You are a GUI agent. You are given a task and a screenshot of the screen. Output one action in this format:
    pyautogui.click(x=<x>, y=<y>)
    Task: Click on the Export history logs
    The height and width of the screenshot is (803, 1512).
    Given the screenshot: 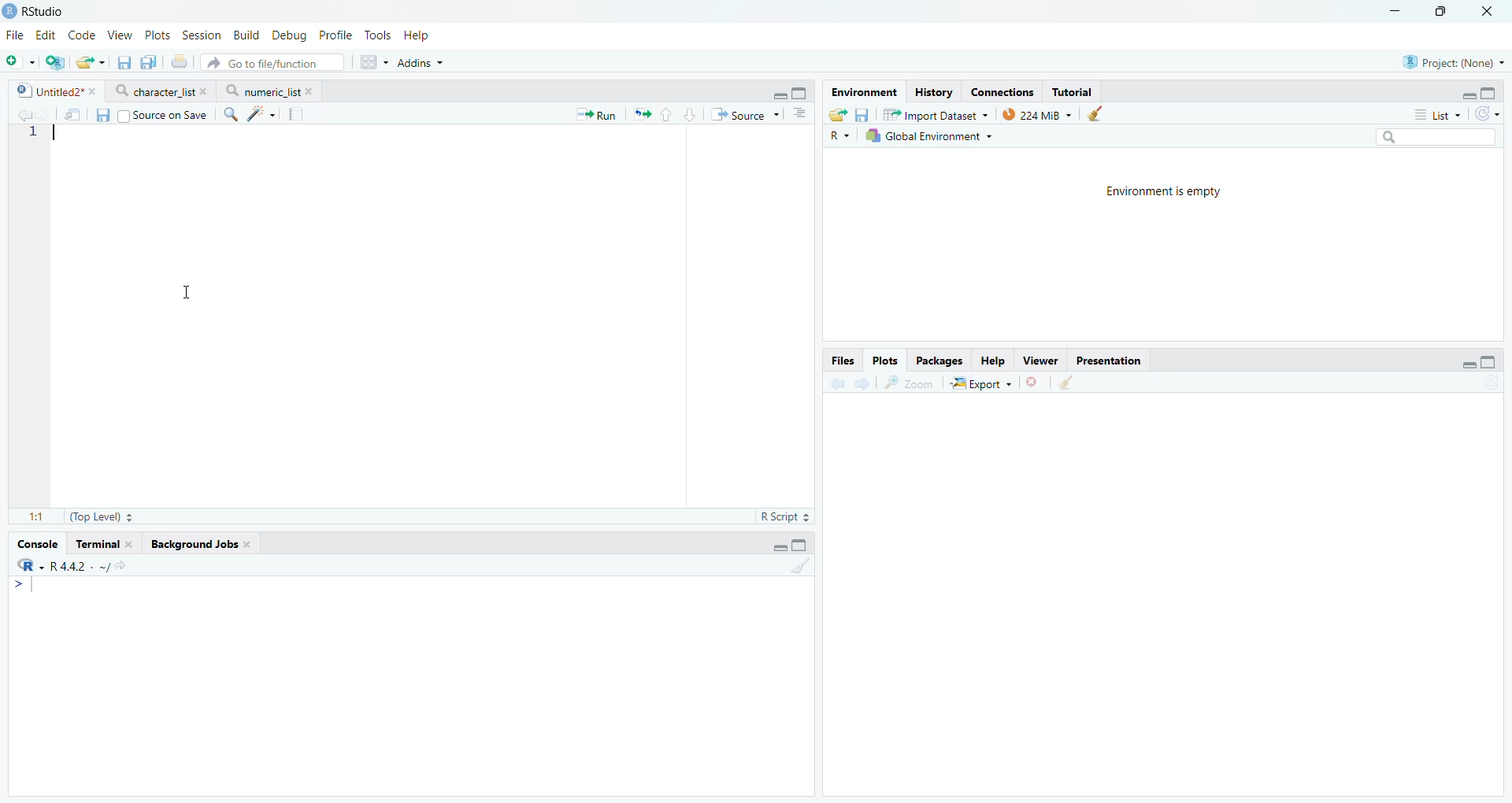 What is the action you would take?
    pyautogui.click(x=836, y=113)
    